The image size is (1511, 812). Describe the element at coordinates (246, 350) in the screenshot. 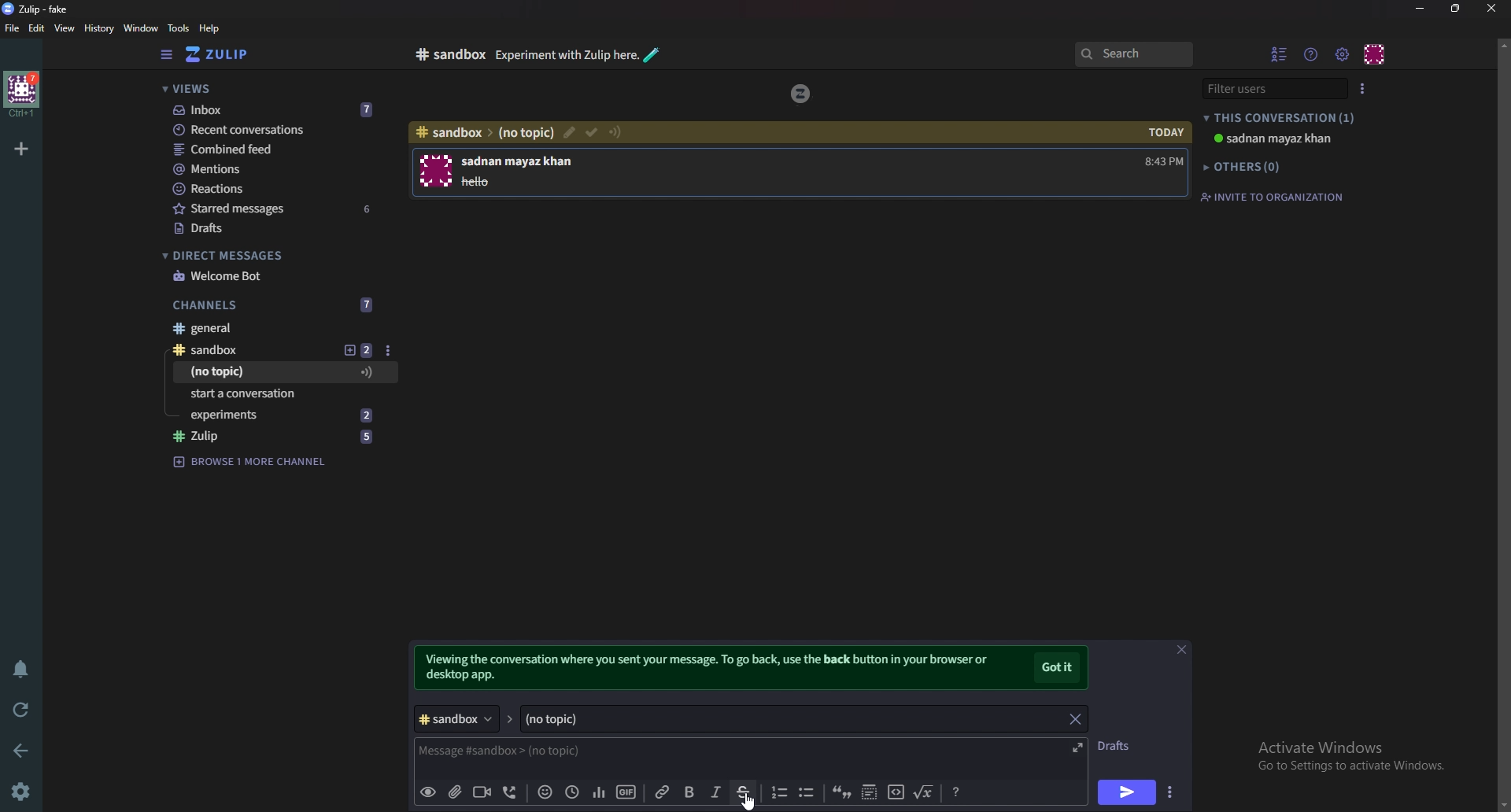

I see `sandbox` at that location.